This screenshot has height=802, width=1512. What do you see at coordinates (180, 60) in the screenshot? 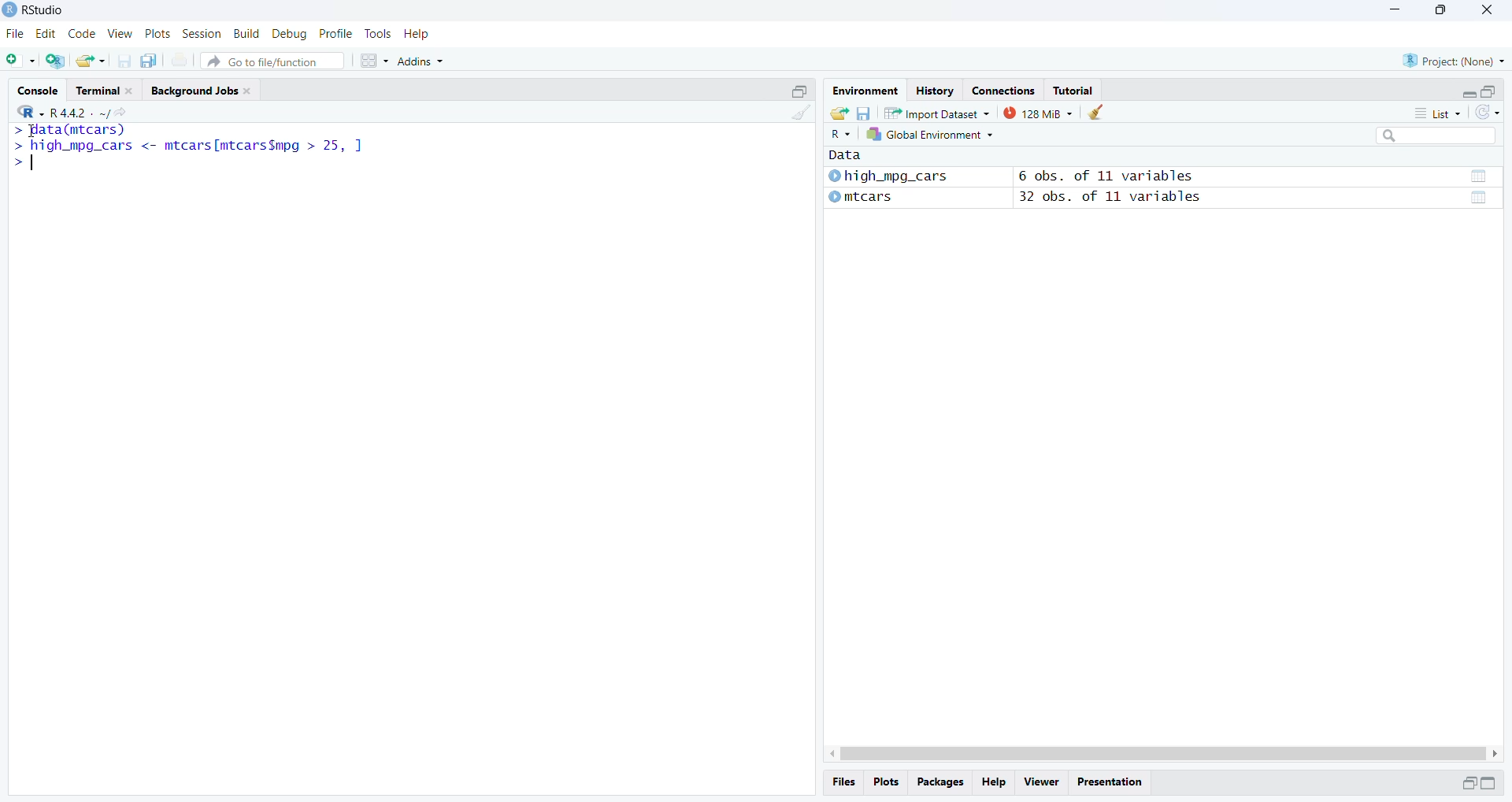
I see `print` at bounding box center [180, 60].